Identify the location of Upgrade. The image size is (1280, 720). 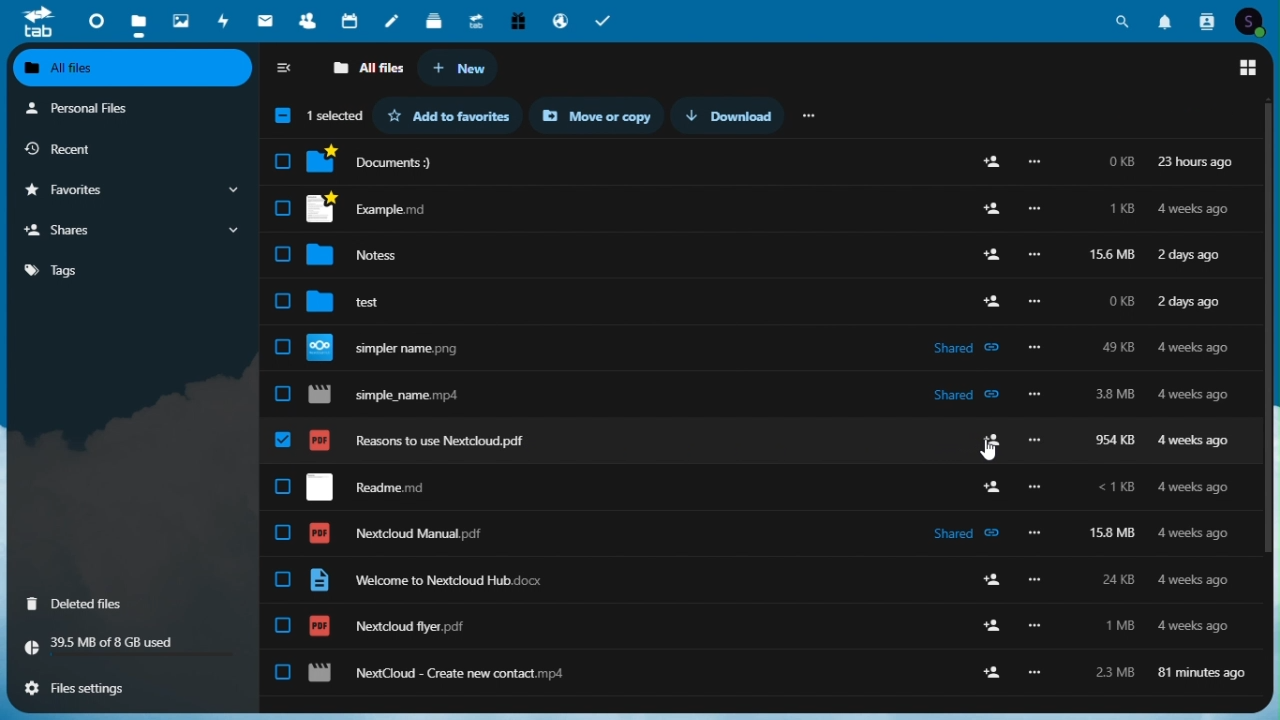
(477, 21).